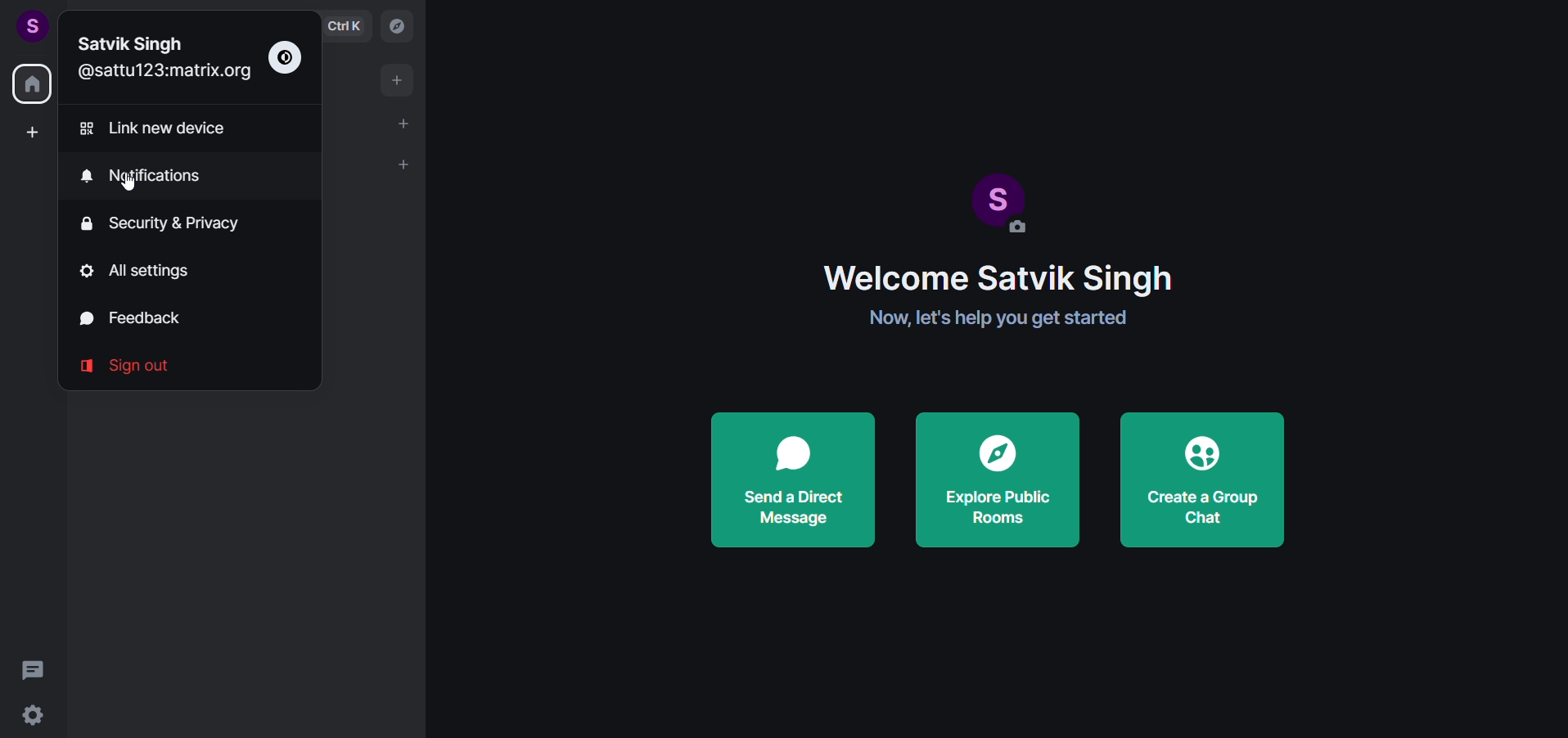 This screenshot has width=1568, height=738. Describe the element at coordinates (998, 192) in the screenshot. I see `display picture` at that location.